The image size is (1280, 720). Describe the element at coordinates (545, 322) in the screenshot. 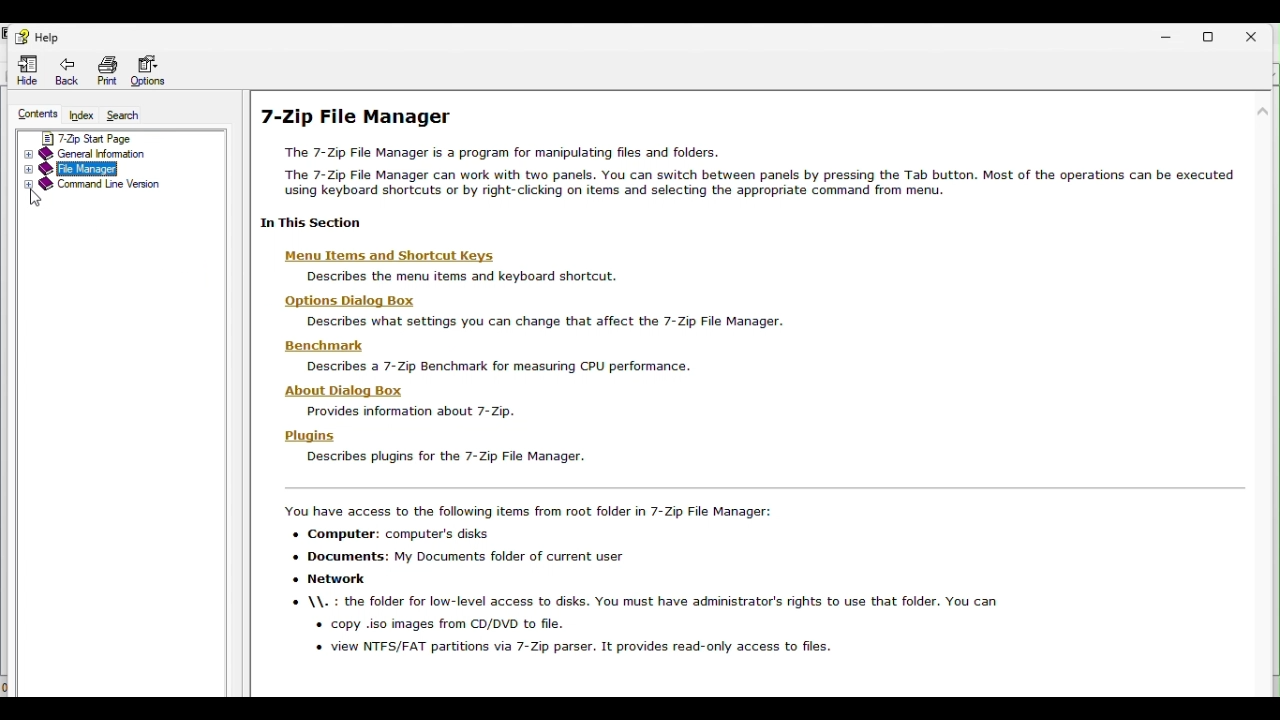

I see `Describes what settings you can change that affect the 7-Zip File Manager.` at that location.